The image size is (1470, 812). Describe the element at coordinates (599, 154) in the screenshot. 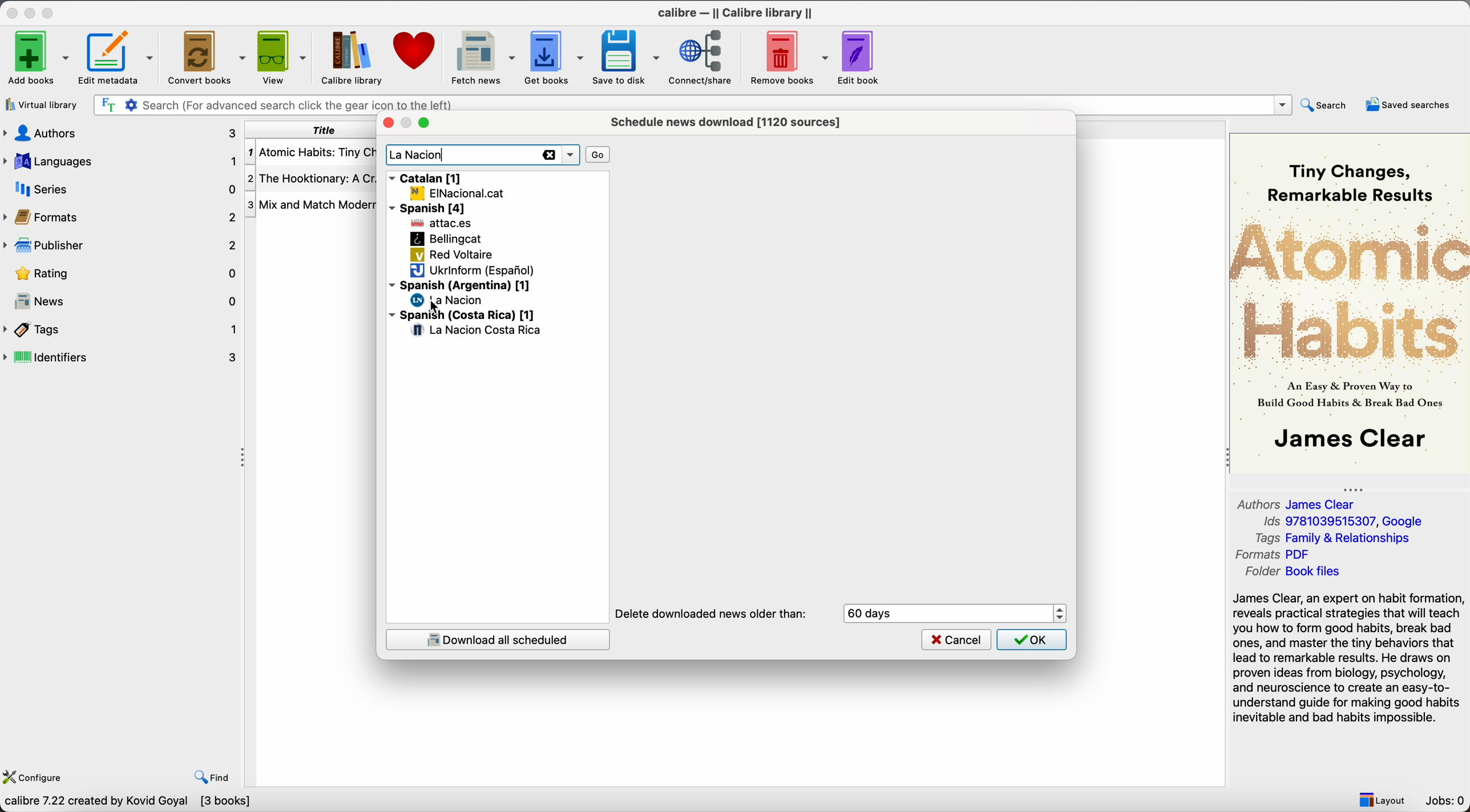

I see `Go` at that location.